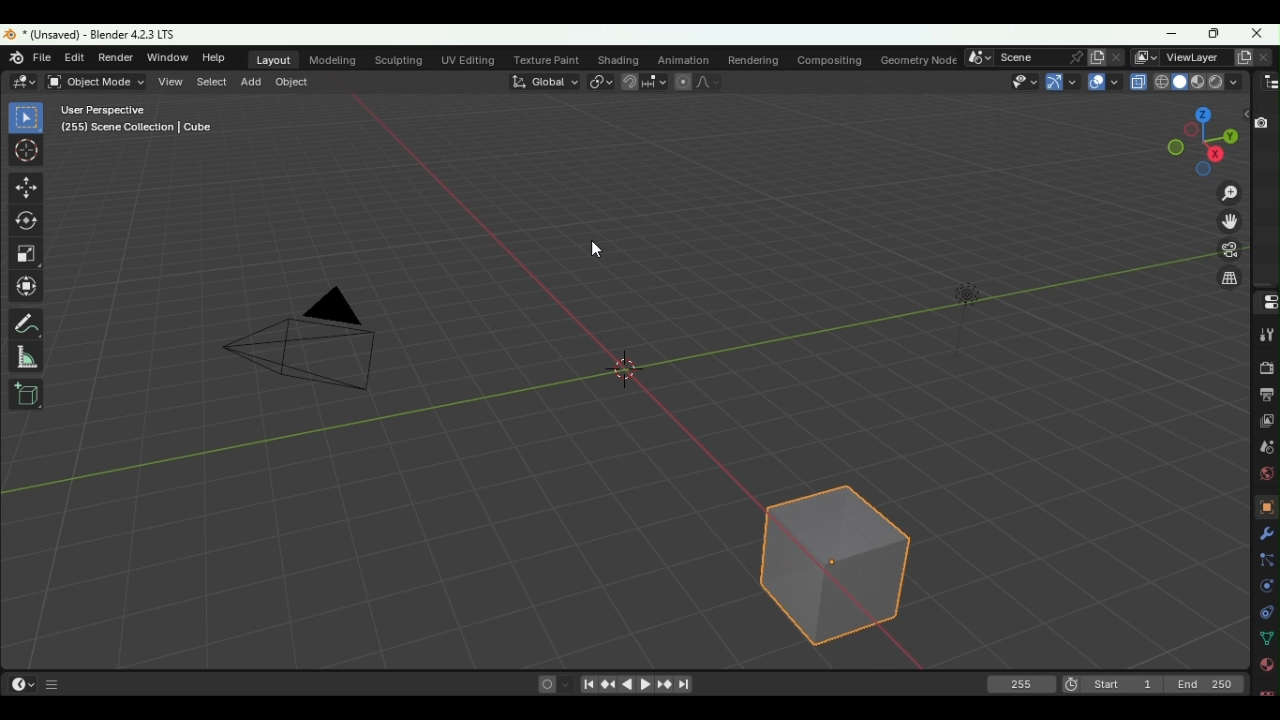  I want to click on Viewport shading: Solid, so click(1178, 82).